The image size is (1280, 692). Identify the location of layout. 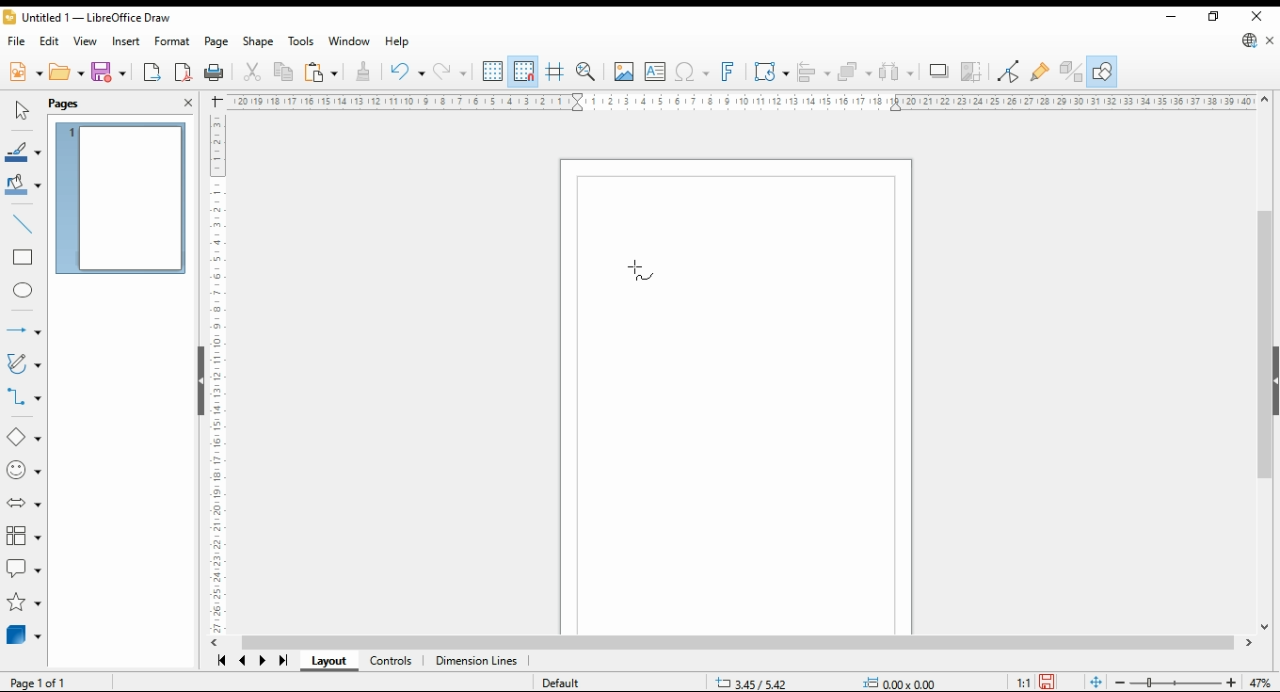
(328, 661).